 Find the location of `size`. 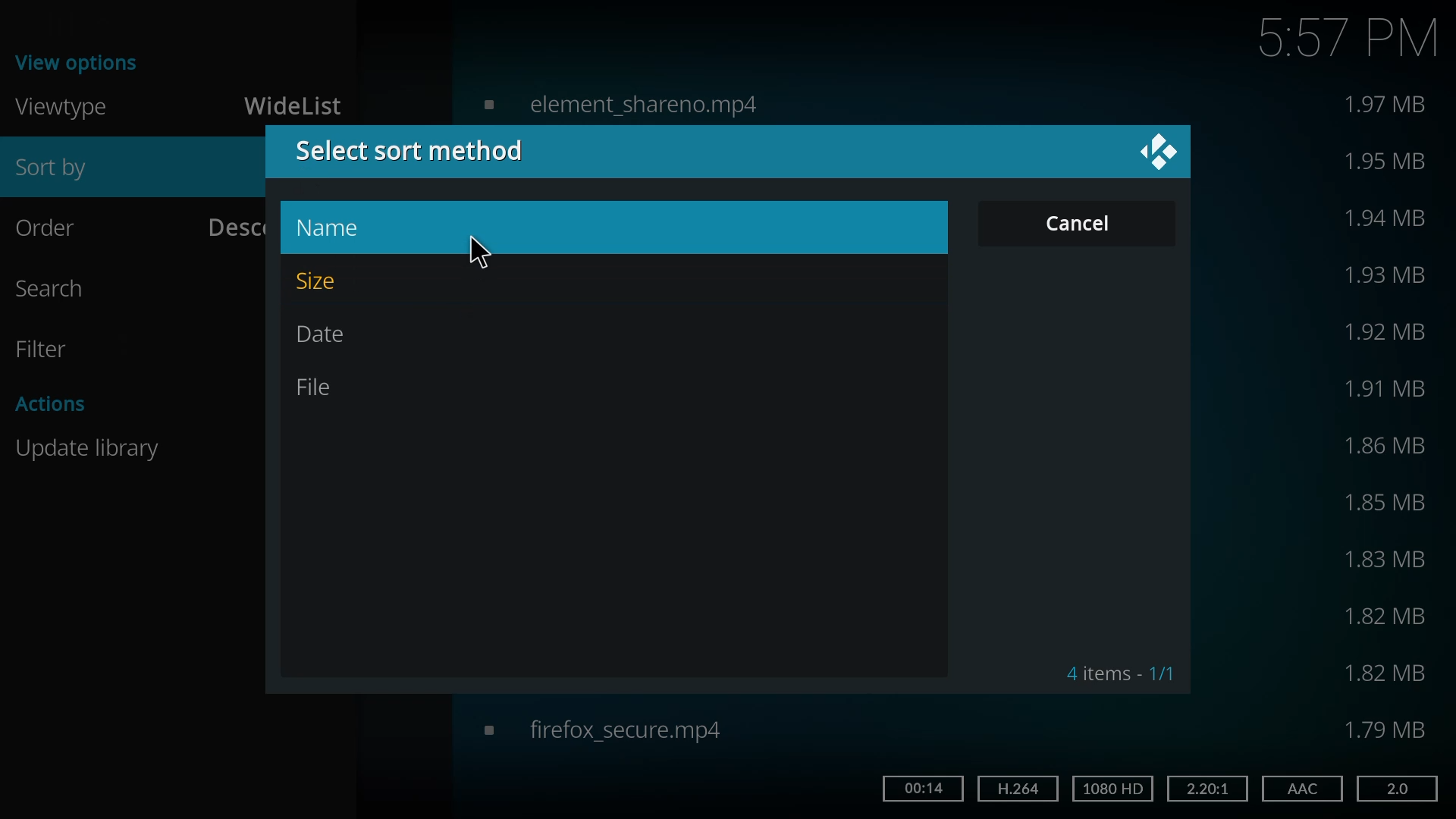

size is located at coordinates (1385, 446).